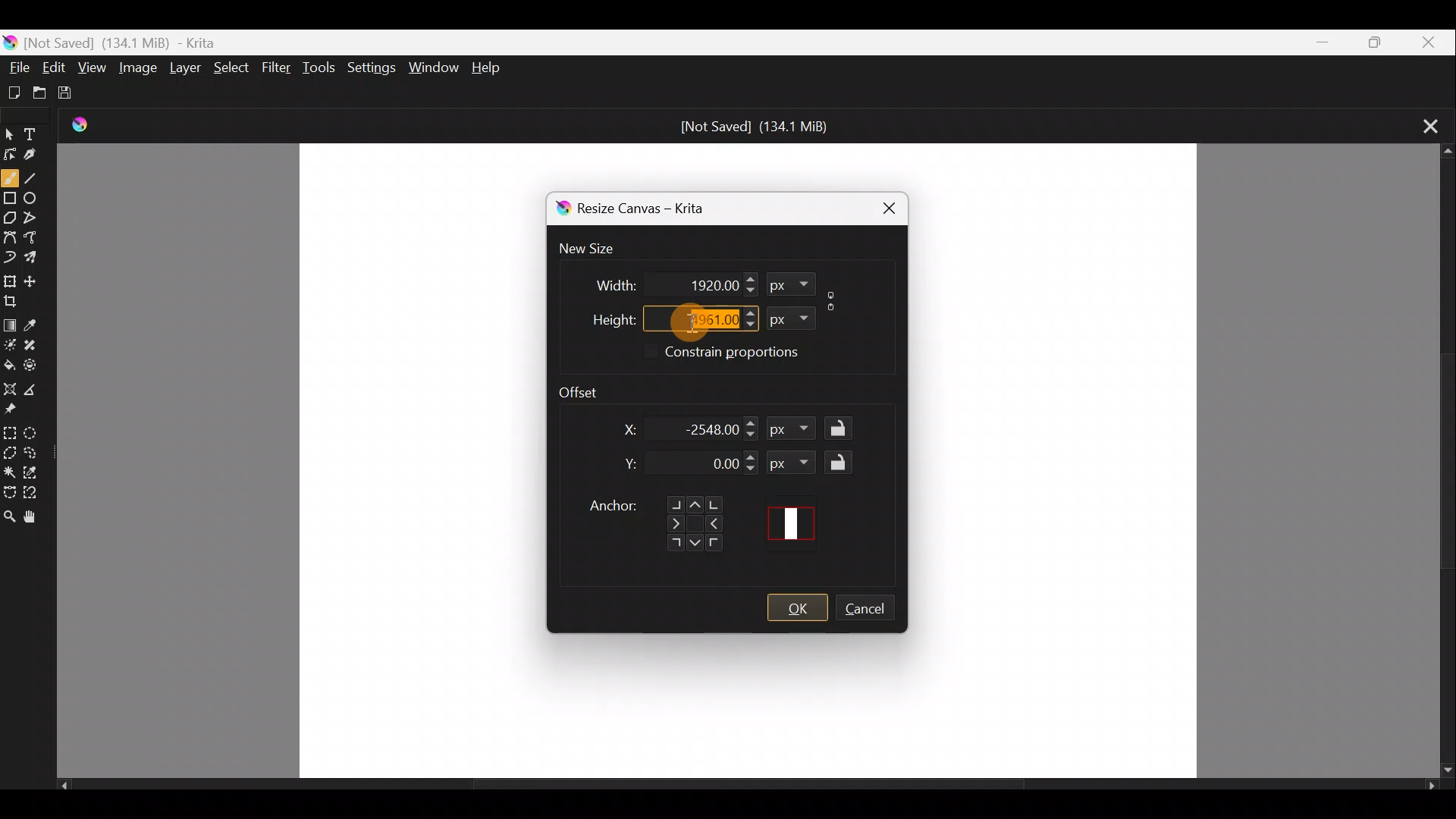  What do you see at coordinates (692, 317) in the screenshot?
I see `4561.00` at bounding box center [692, 317].